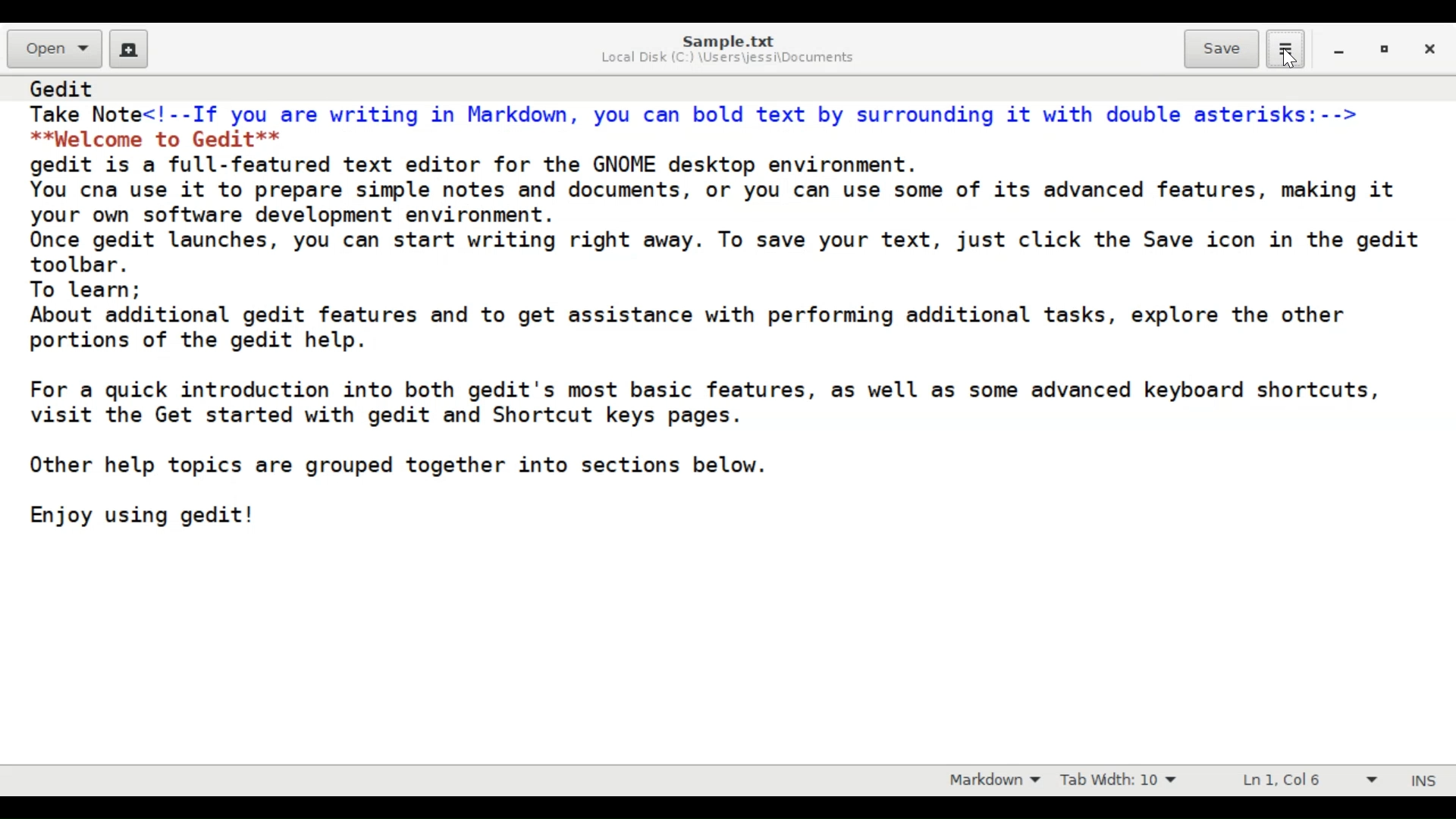 The width and height of the screenshot is (1456, 819). What do you see at coordinates (1429, 51) in the screenshot?
I see `close` at bounding box center [1429, 51].